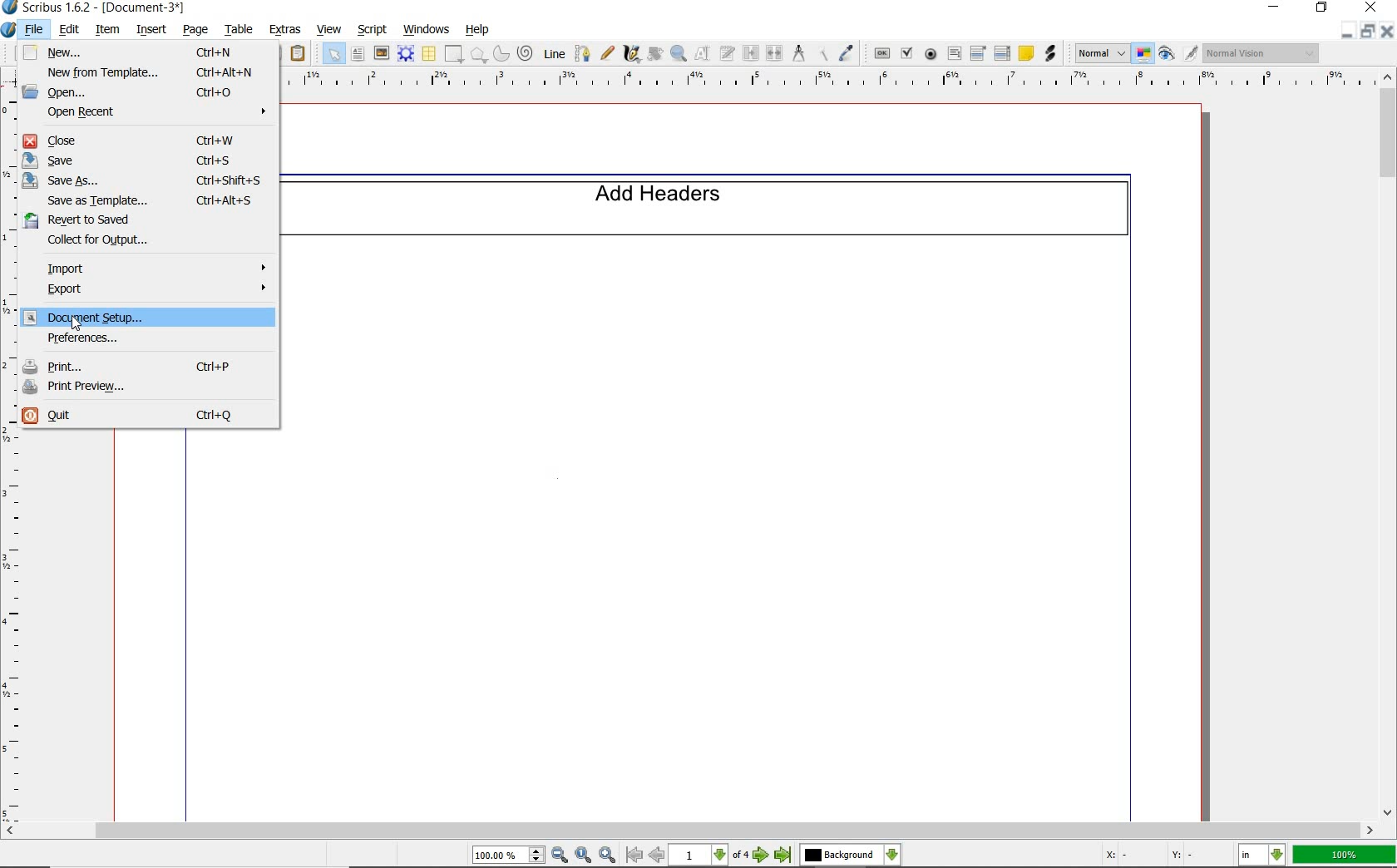 The width and height of the screenshot is (1397, 868). Describe the element at coordinates (148, 339) in the screenshot. I see `preferences` at that location.